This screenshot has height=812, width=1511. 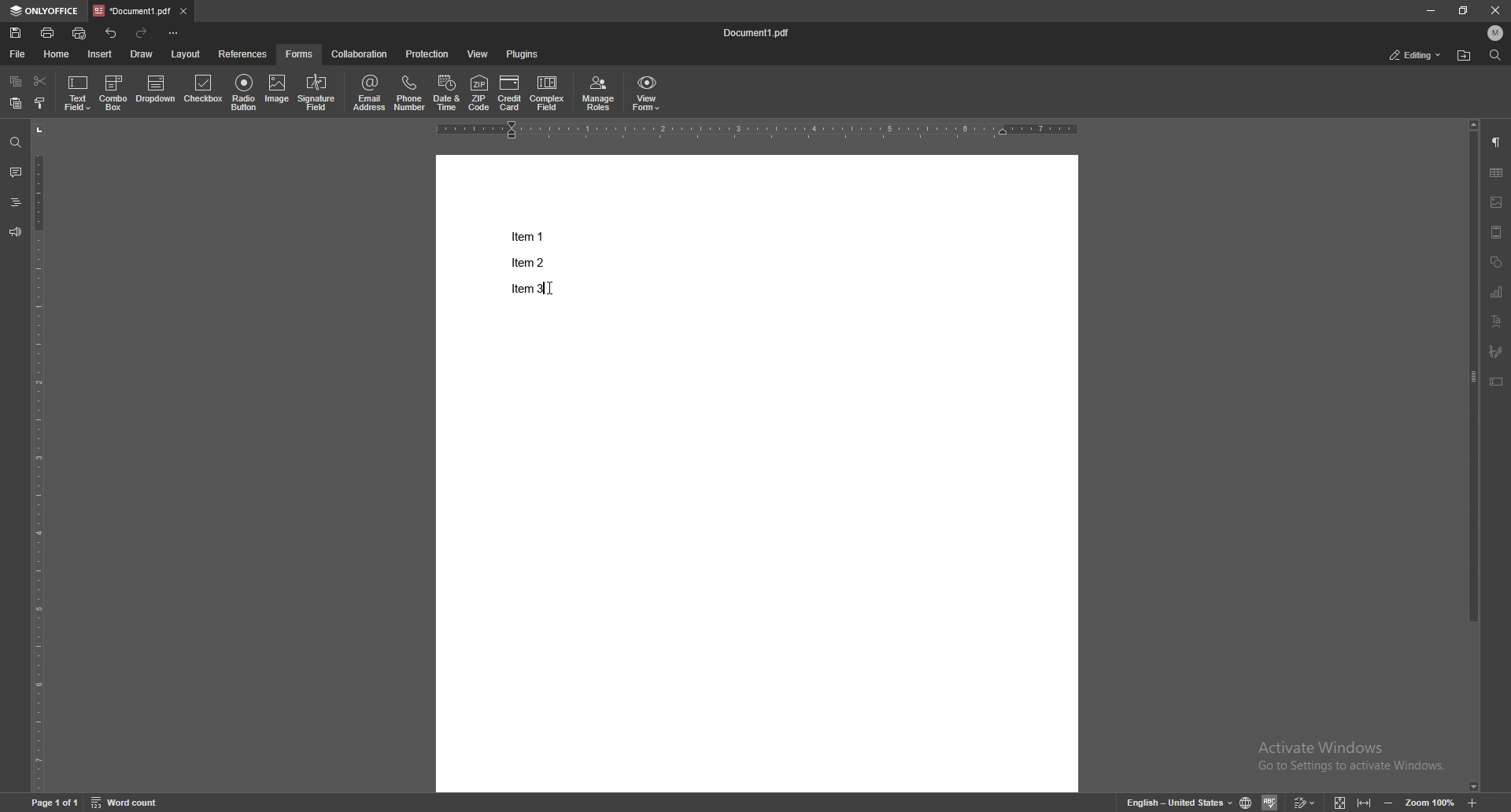 I want to click on spell check, so click(x=1269, y=802).